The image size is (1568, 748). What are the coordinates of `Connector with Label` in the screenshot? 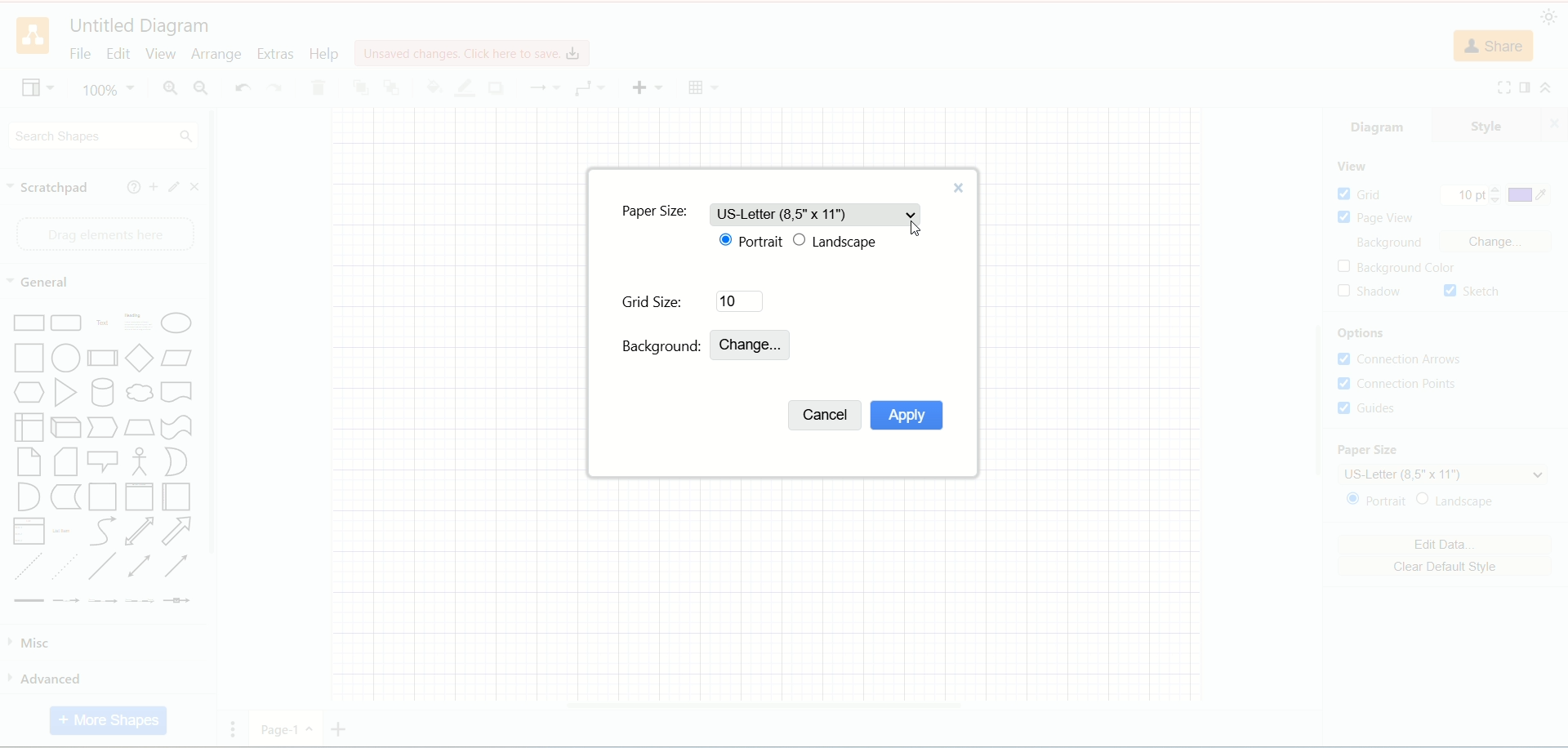 It's located at (67, 602).